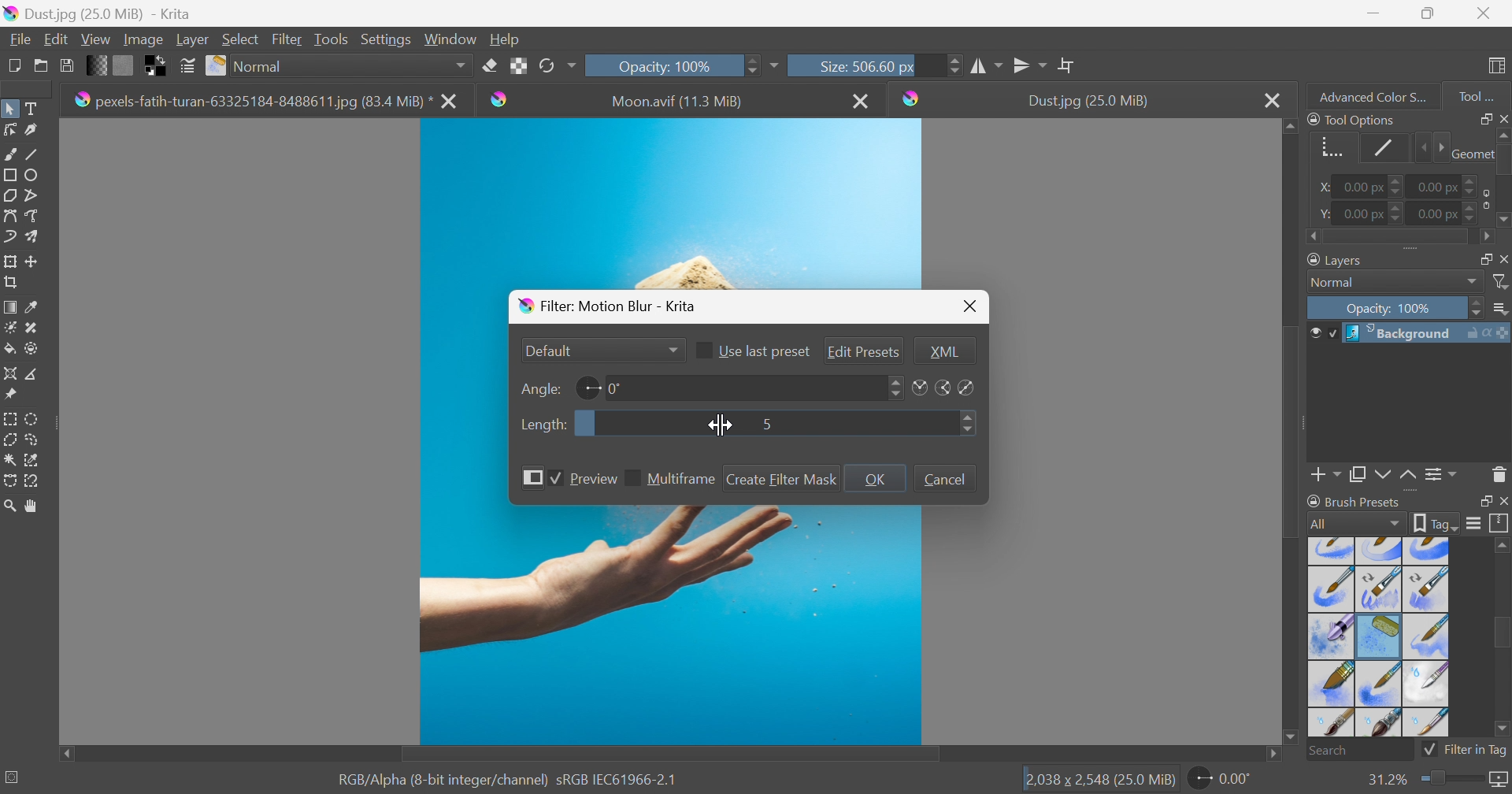  What do you see at coordinates (543, 425) in the screenshot?
I see `Length:` at bounding box center [543, 425].